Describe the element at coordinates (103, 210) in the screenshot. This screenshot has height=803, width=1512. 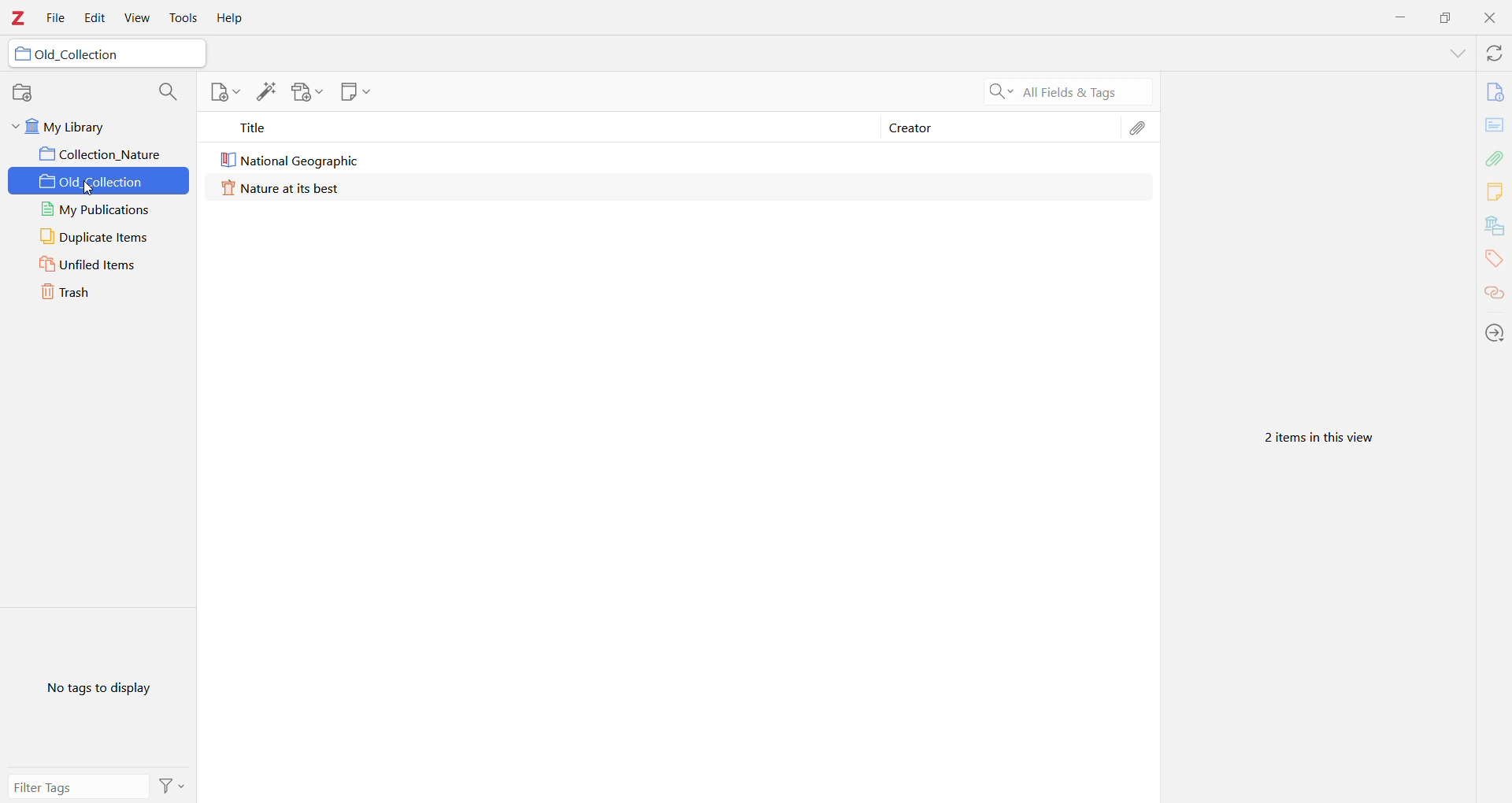
I see `My Publications` at that location.